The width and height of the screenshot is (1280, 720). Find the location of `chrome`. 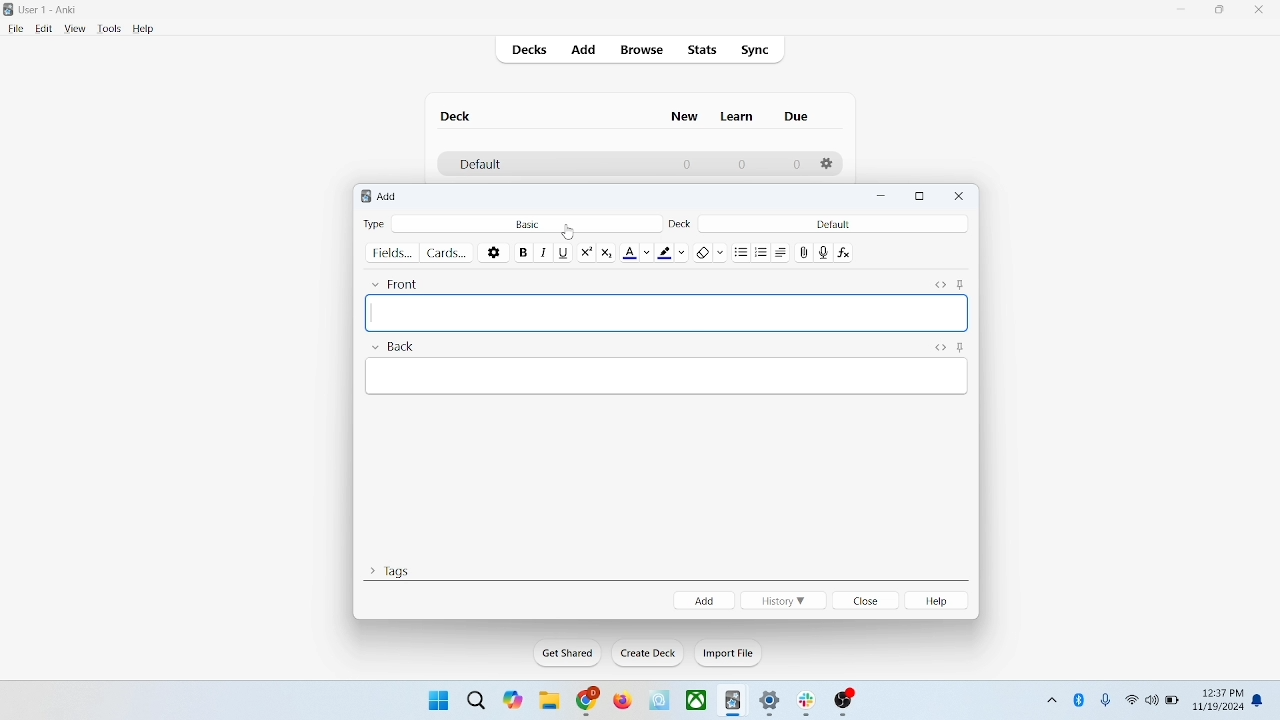

chrome is located at coordinates (588, 701).